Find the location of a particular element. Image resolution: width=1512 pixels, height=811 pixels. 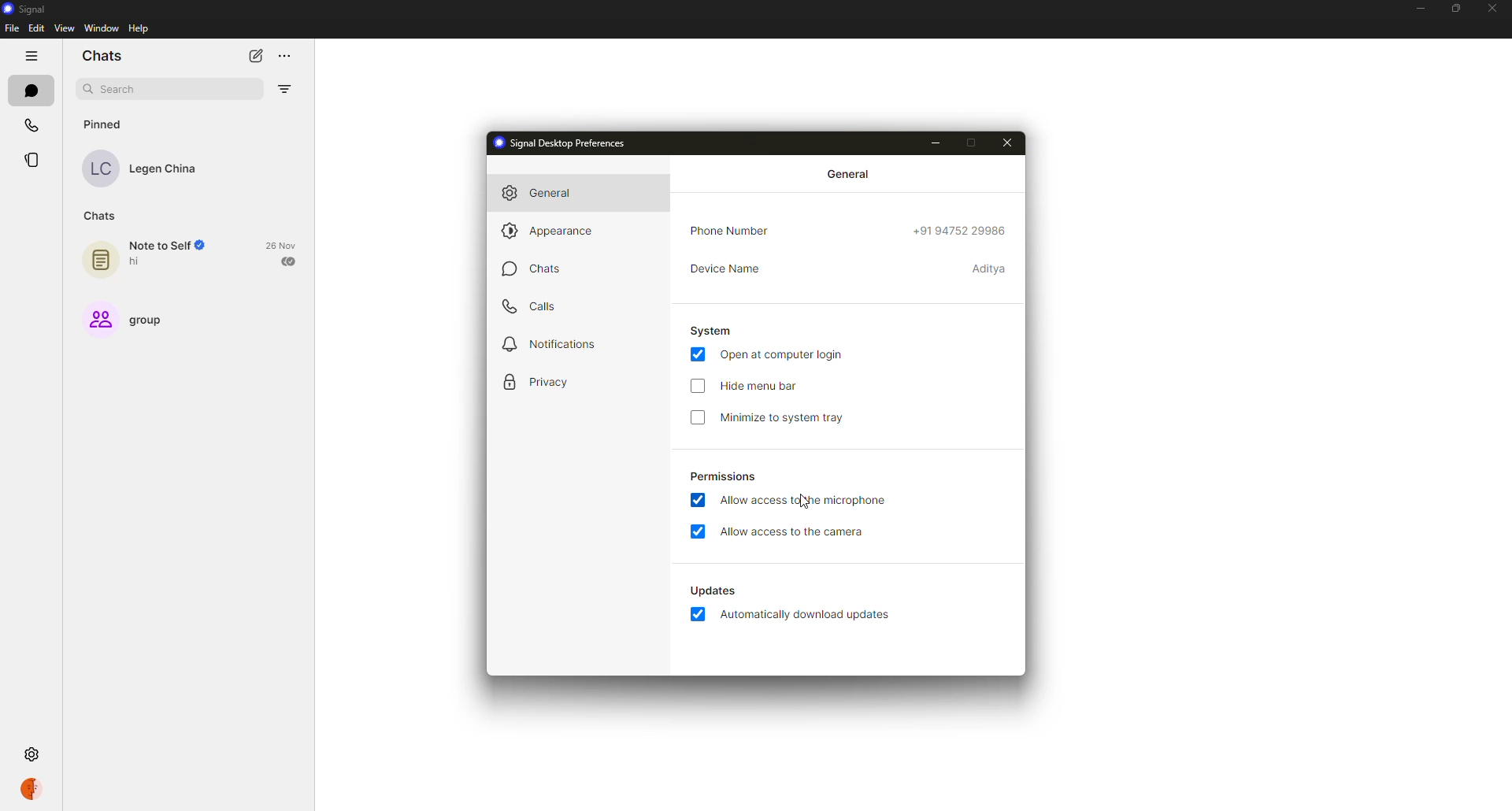

chats is located at coordinates (30, 90).